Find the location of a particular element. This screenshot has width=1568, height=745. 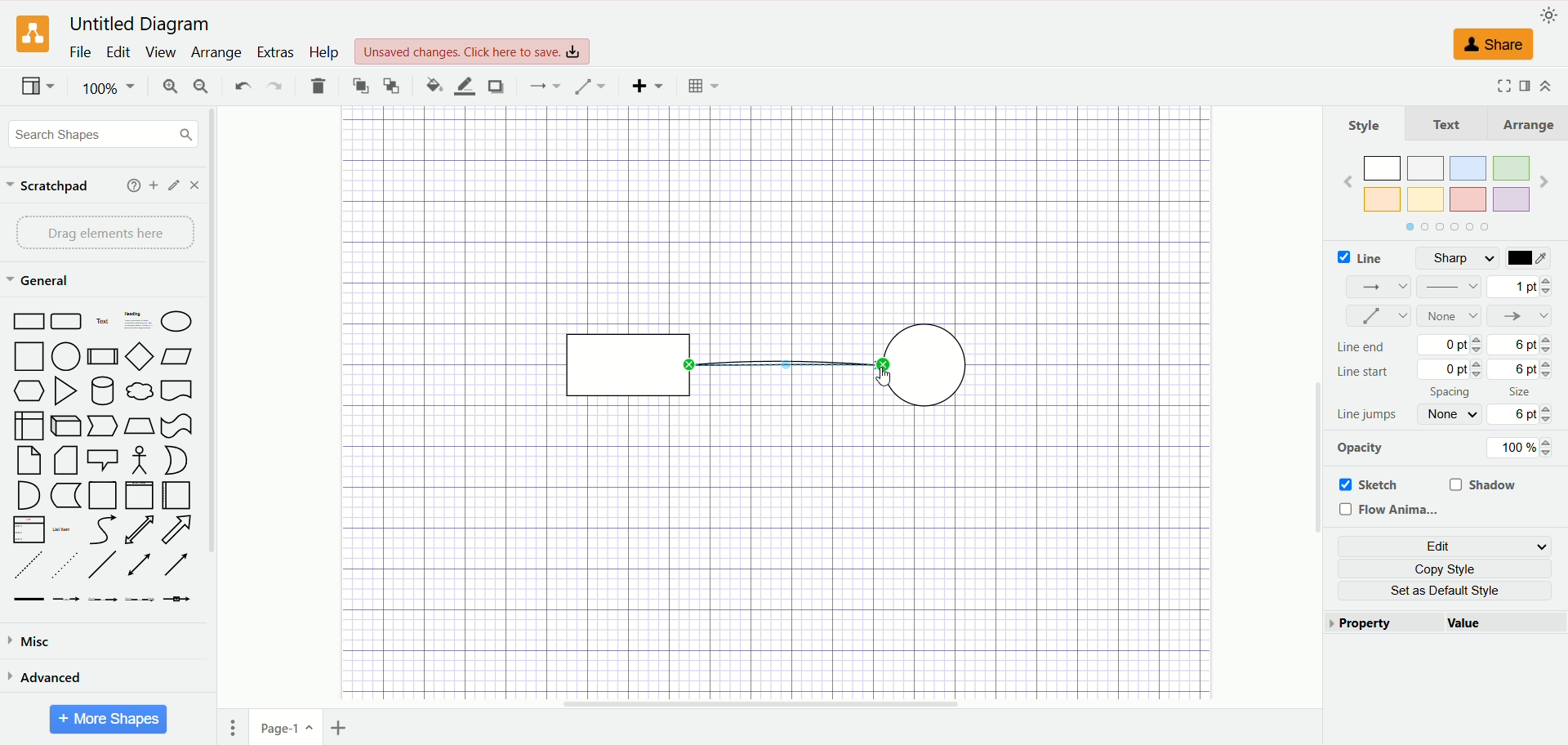

Link is located at coordinates (29, 602).